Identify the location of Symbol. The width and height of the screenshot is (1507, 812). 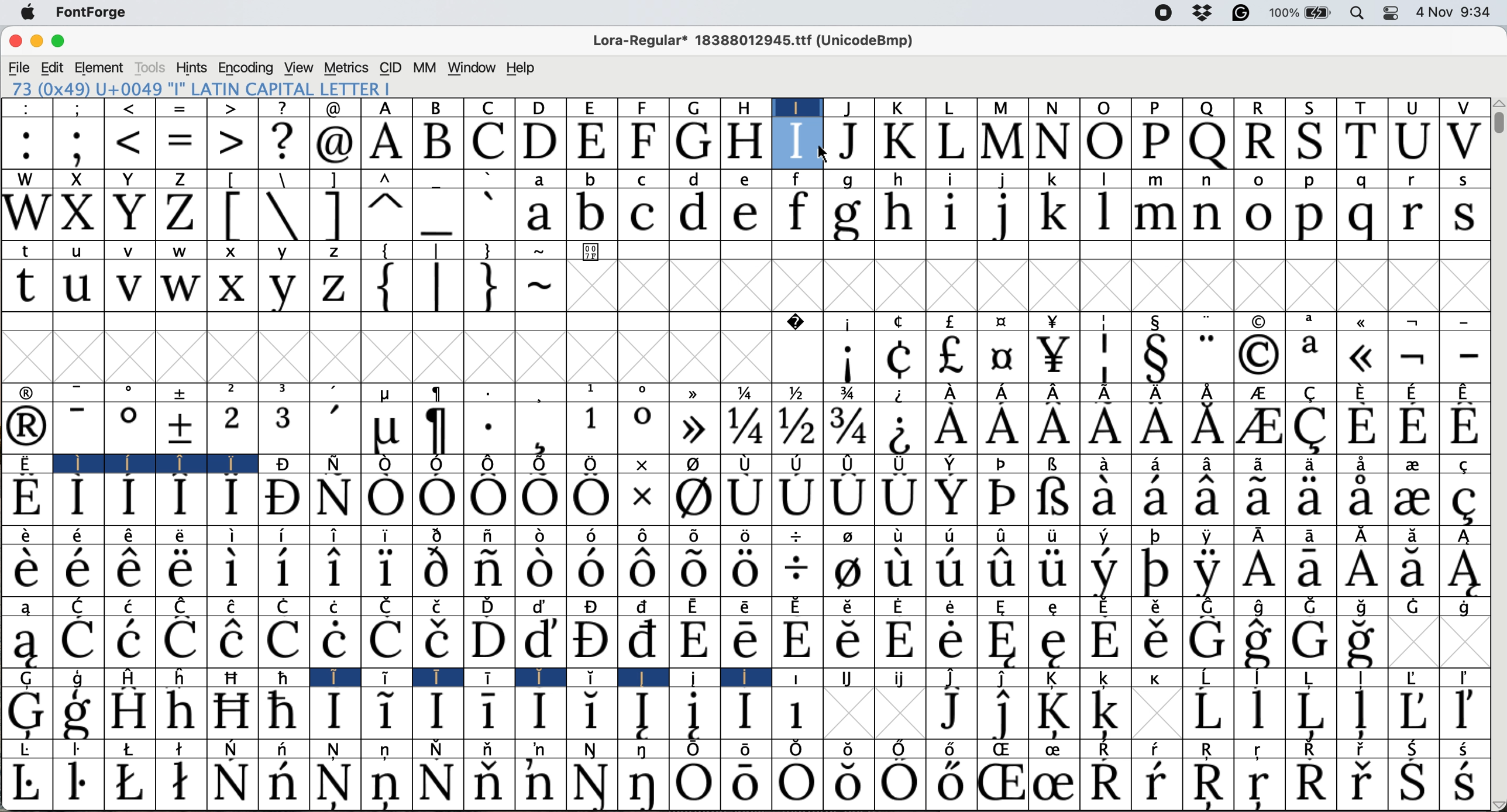
(1058, 749).